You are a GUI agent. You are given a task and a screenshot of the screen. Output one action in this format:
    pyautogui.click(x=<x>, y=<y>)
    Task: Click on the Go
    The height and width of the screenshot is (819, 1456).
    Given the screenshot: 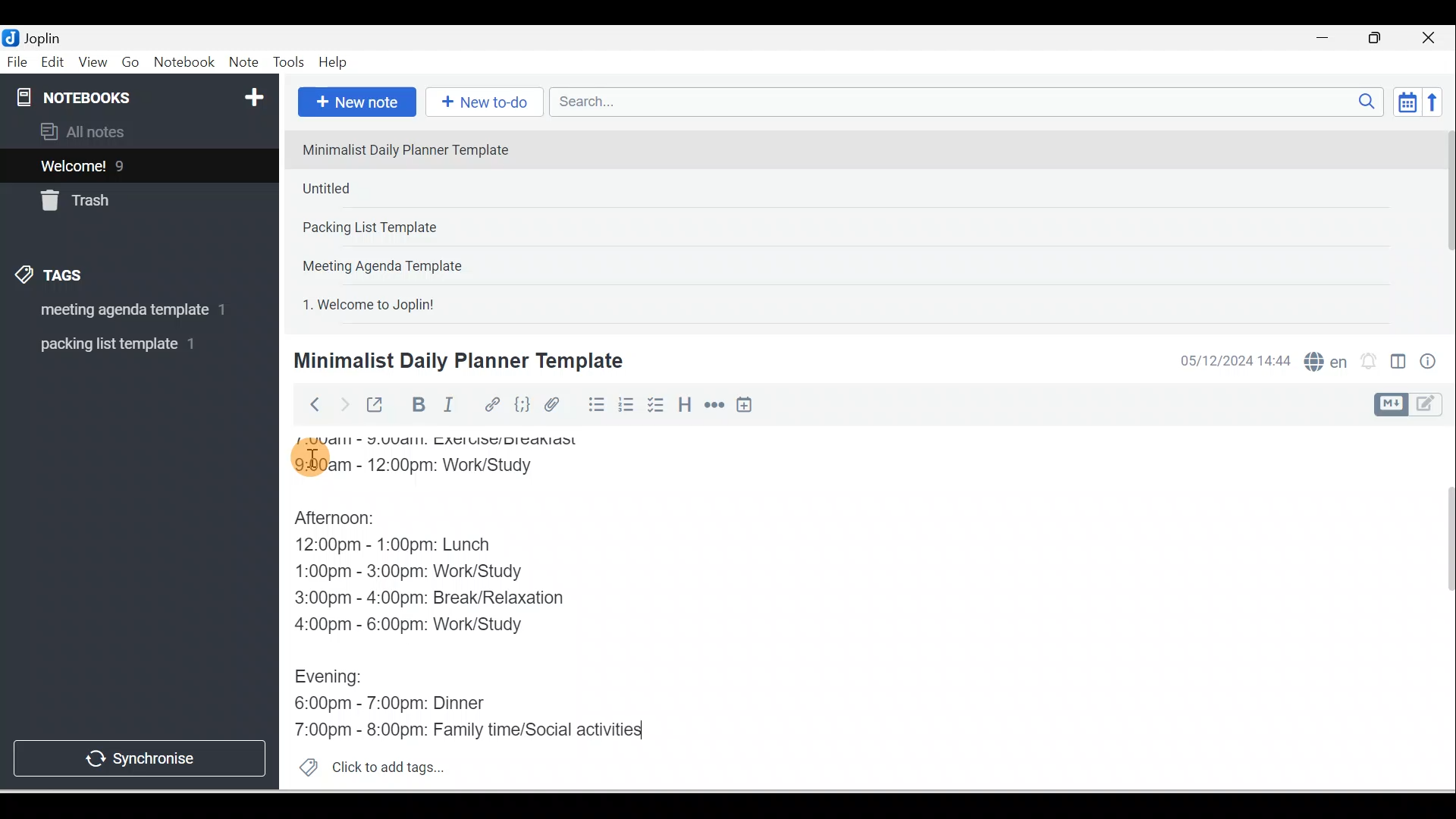 What is the action you would take?
    pyautogui.click(x=133, y=63)
    